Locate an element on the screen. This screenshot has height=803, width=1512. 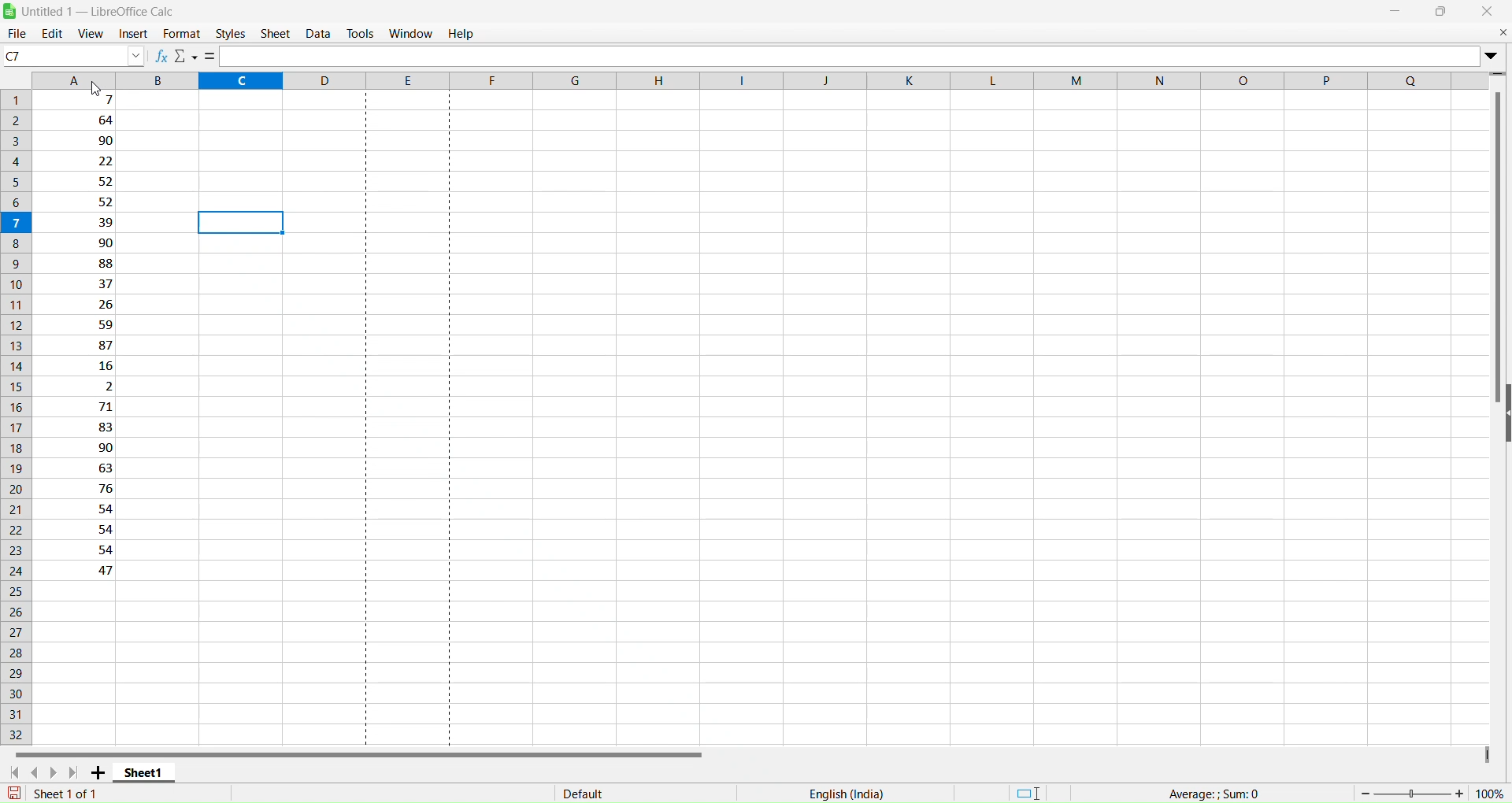
Format is located at coordinates (182, 33).